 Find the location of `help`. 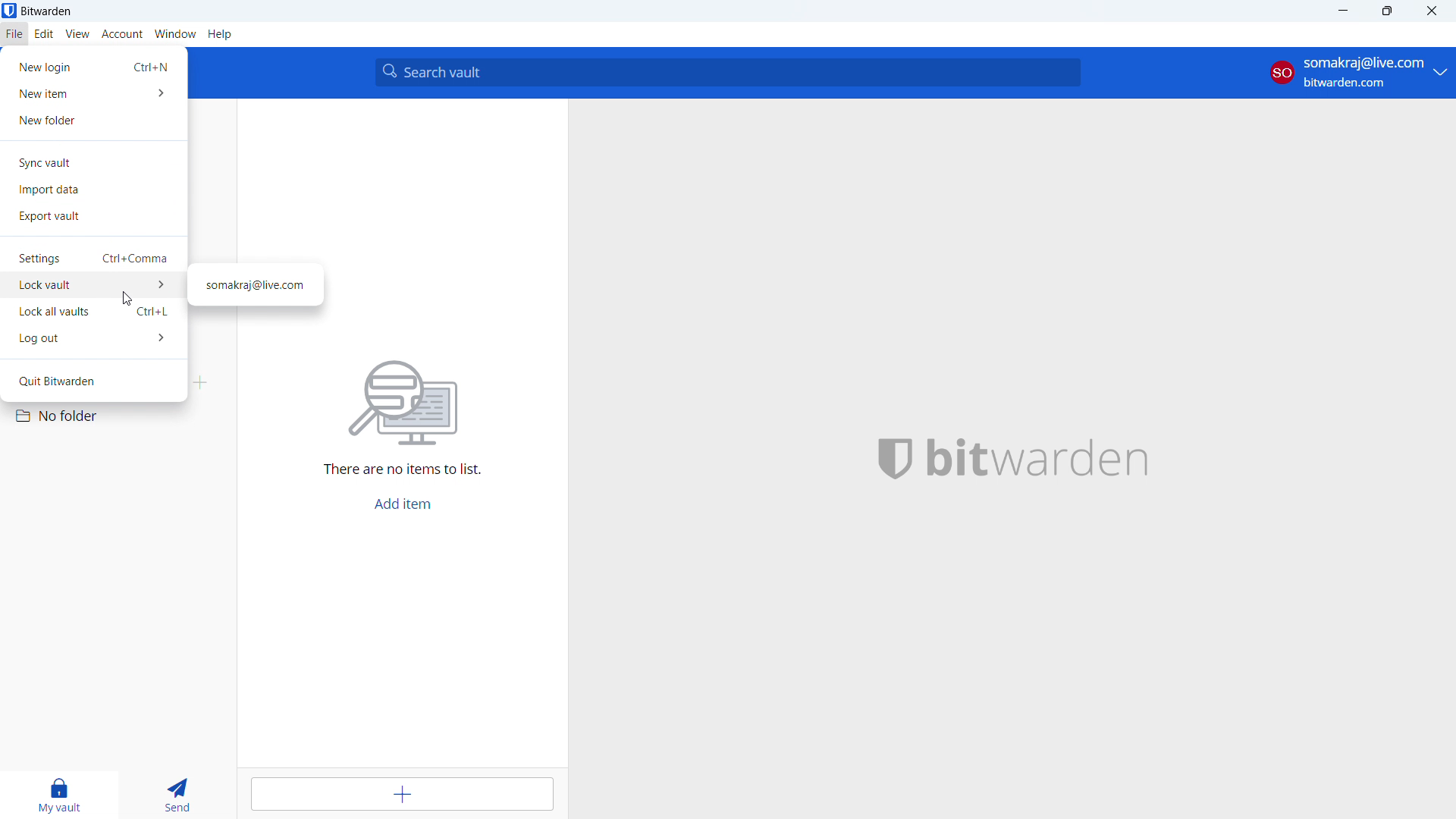

help is located at coordinates (220, 34).